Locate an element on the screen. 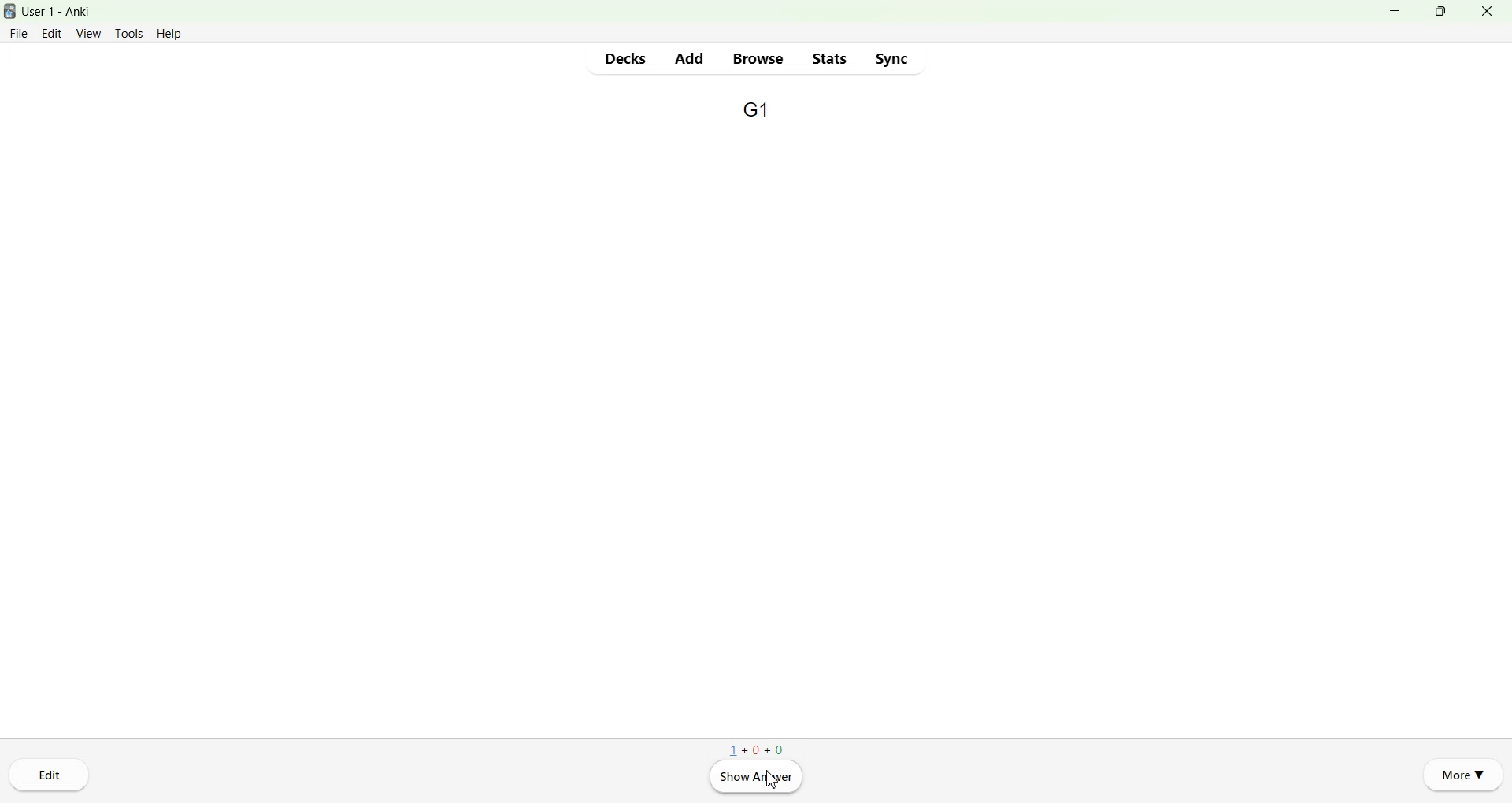  1+0+0 is located at coordinates (756, 749).